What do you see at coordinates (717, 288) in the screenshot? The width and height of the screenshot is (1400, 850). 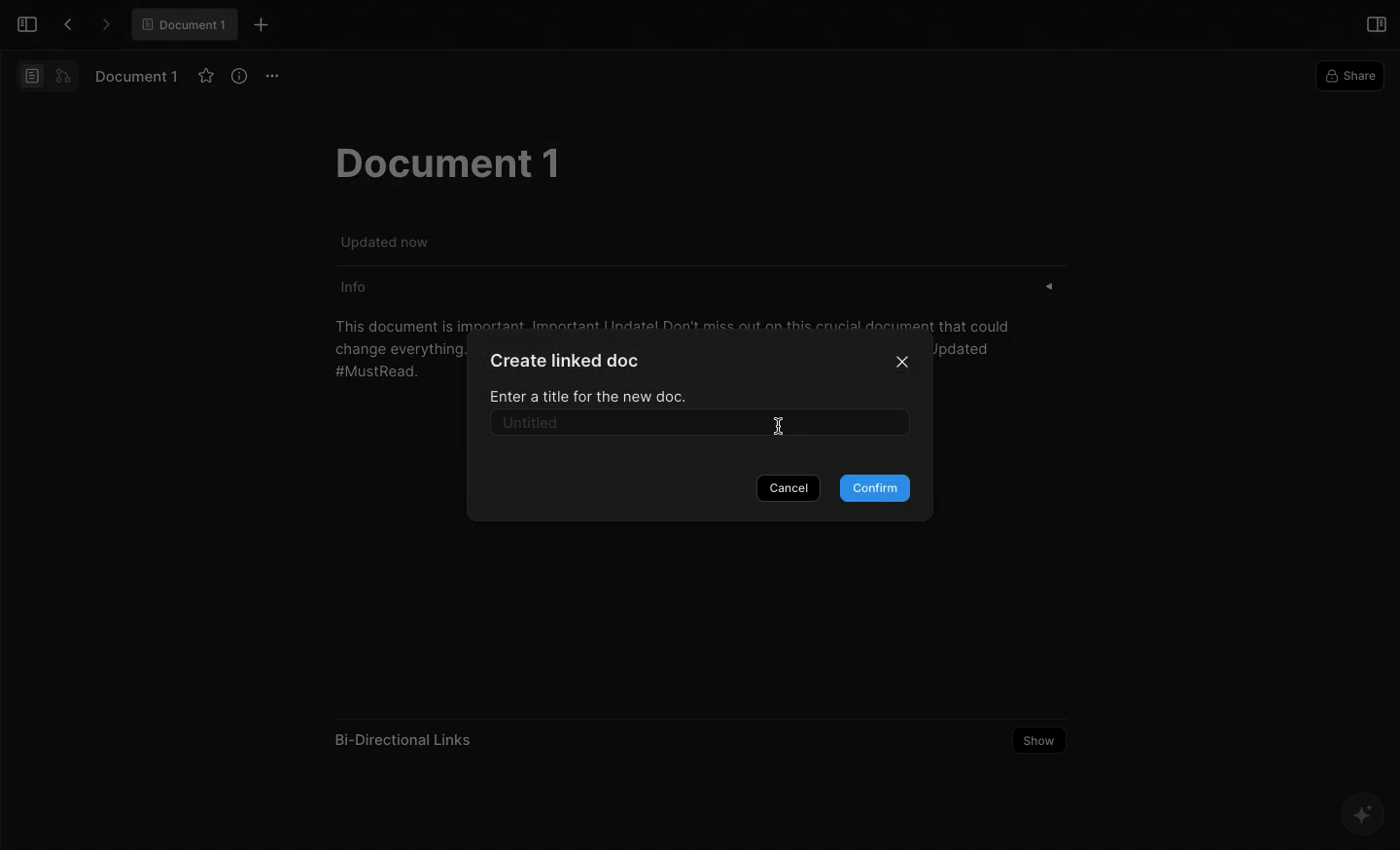 I see `Info «` at bounding box center [717, 288].